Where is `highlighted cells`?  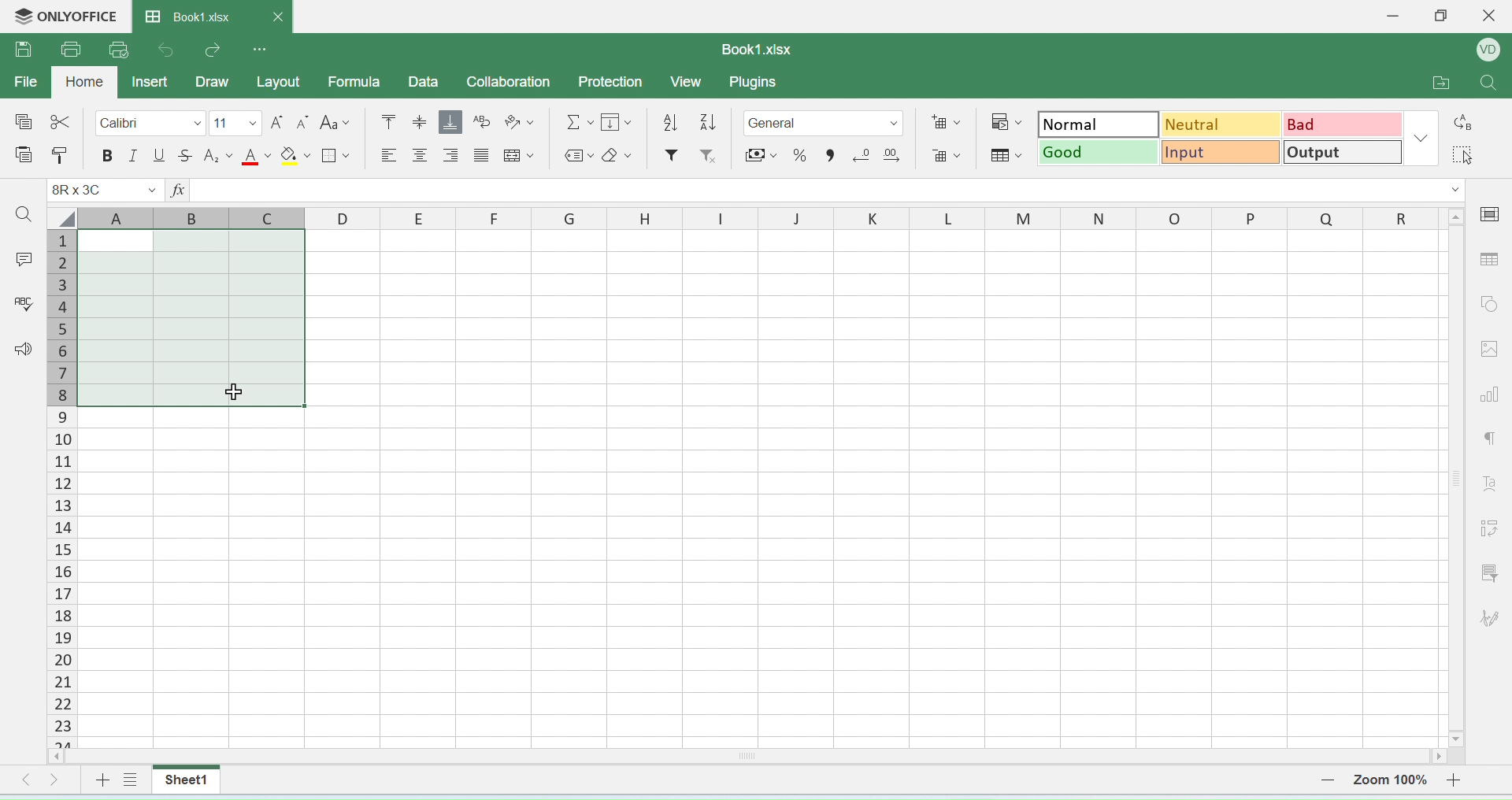
highlighted cells is located at coordinates (193, 320).